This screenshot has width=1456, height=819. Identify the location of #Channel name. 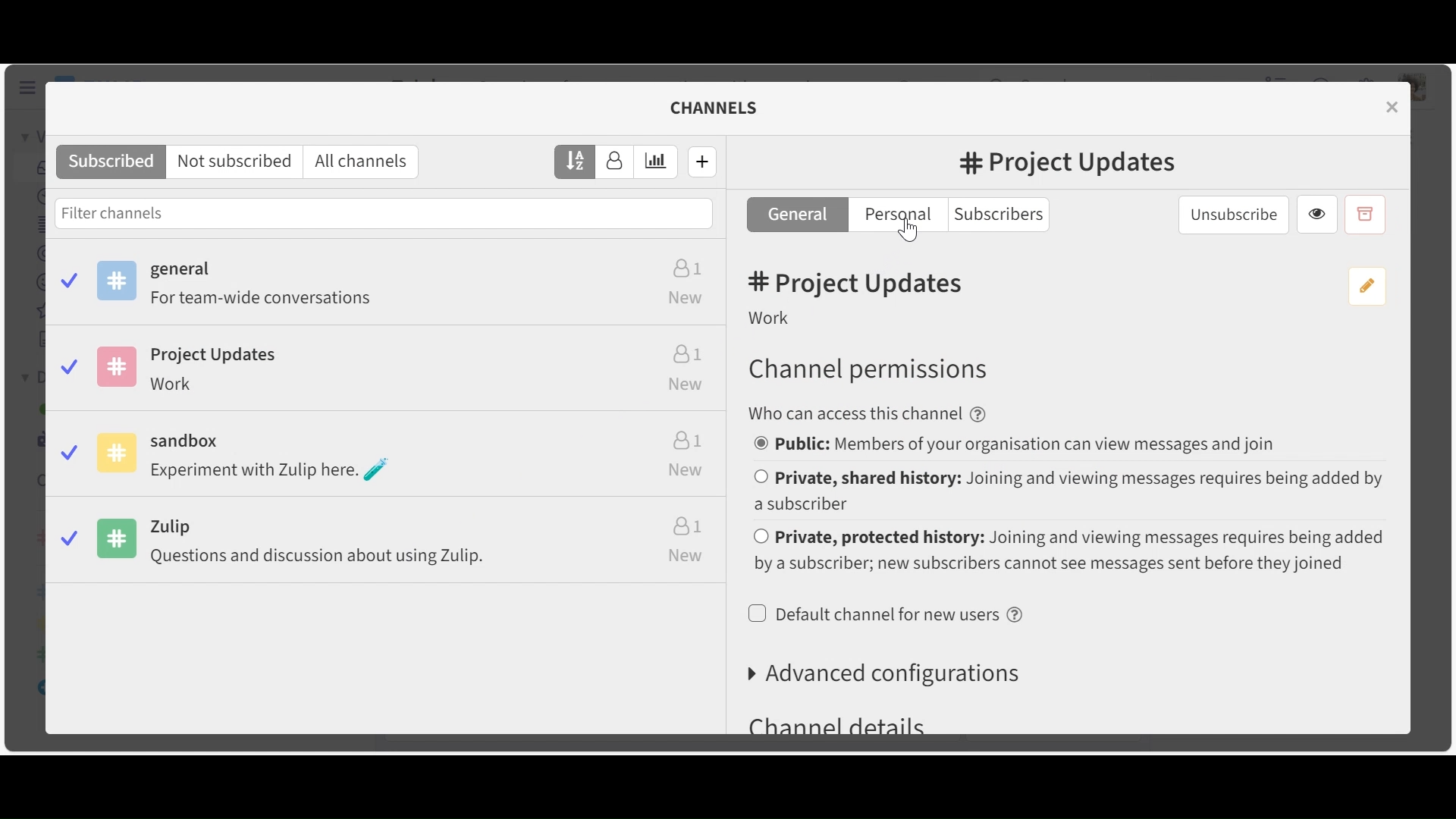
(861, 284).